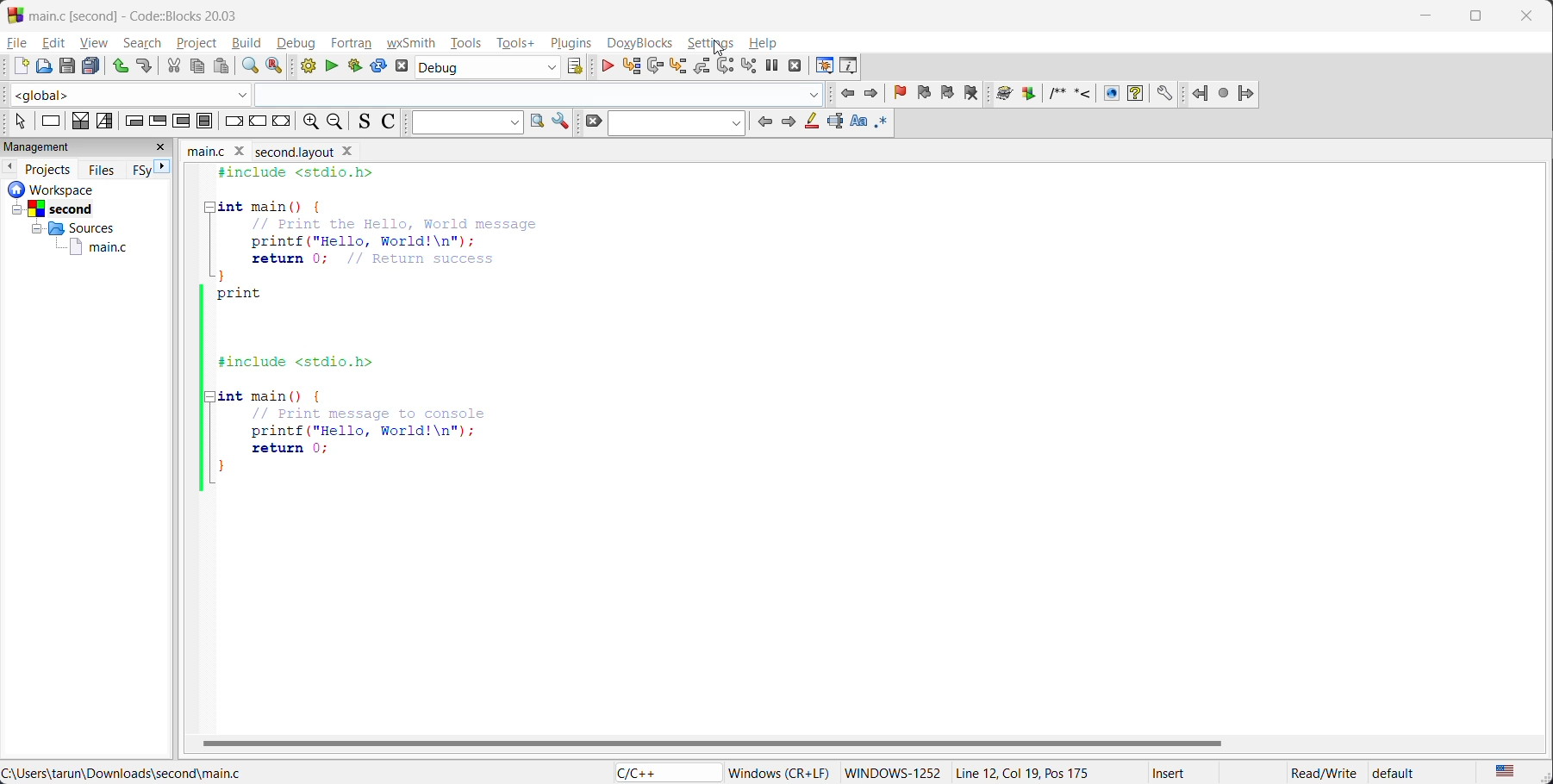  I want to click on toggle comments, so click(388, 124).